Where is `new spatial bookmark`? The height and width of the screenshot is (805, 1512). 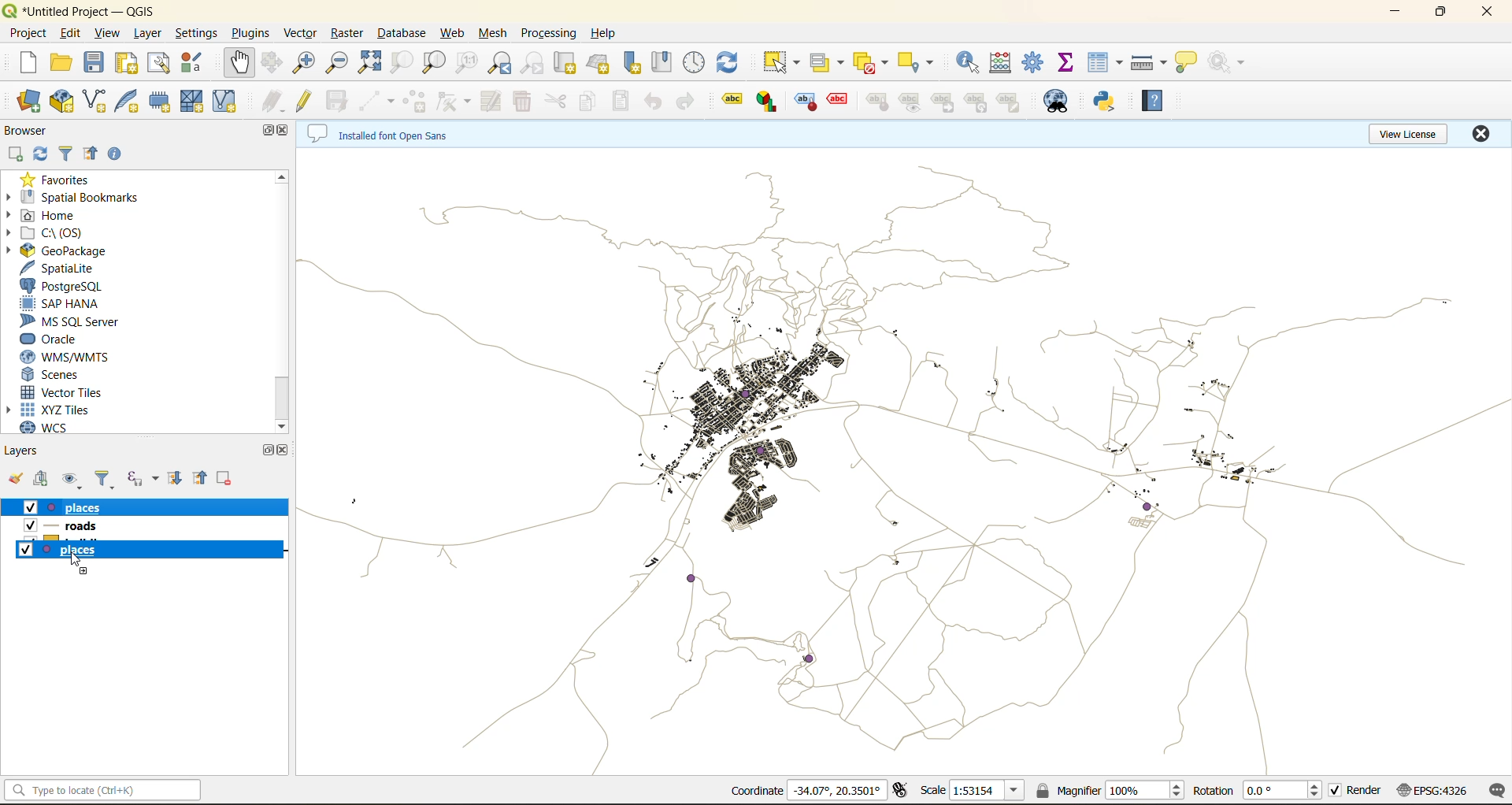 new spatial bookmark is located at coordinates (637, 61).